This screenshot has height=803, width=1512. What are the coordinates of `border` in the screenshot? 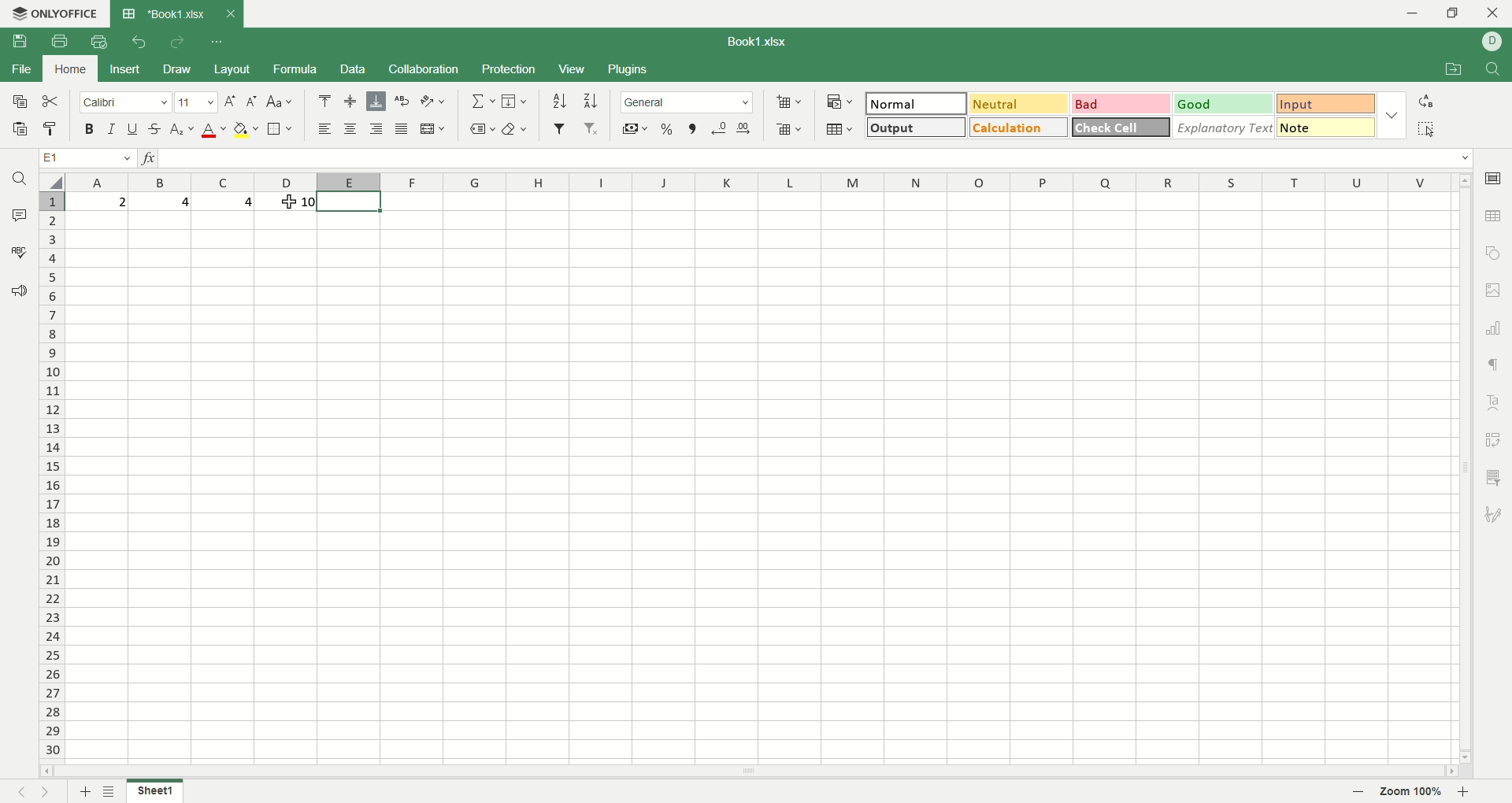 It's located at (281, 128).